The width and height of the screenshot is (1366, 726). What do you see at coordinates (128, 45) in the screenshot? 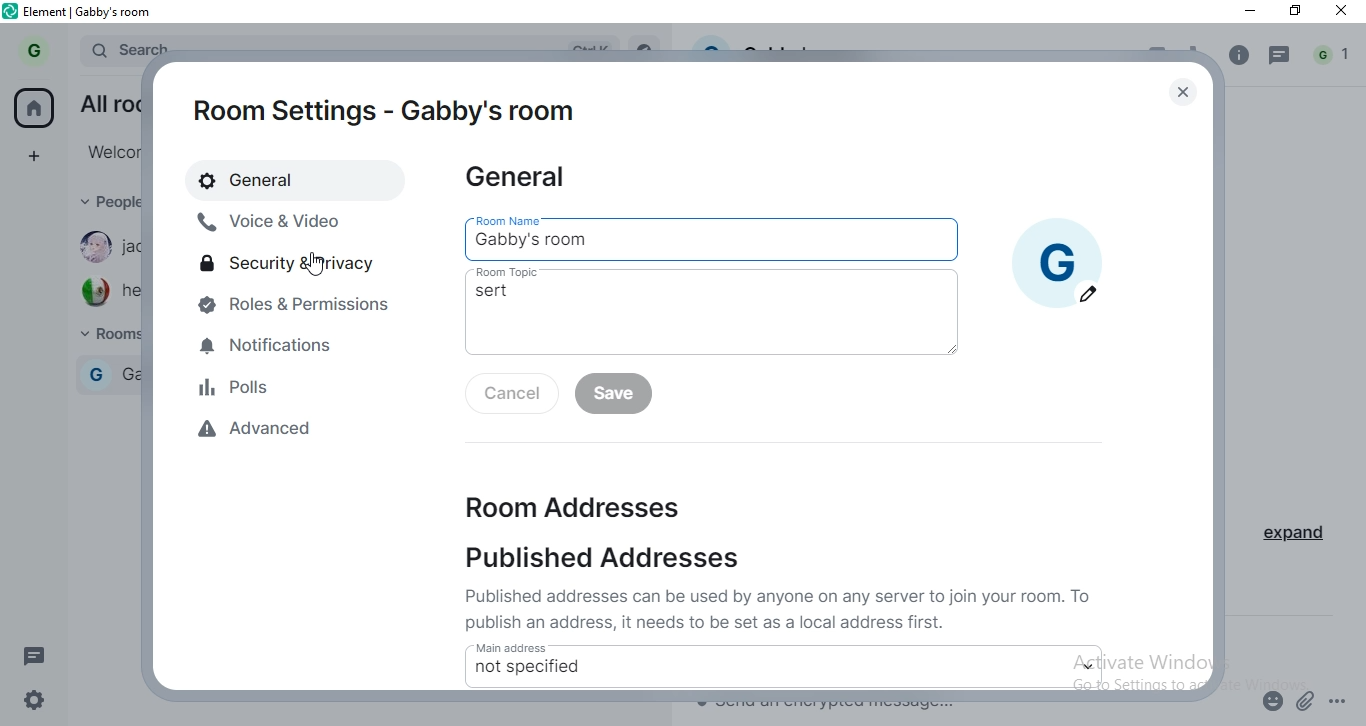
I see `search bar` at bounding box center [128, 45].